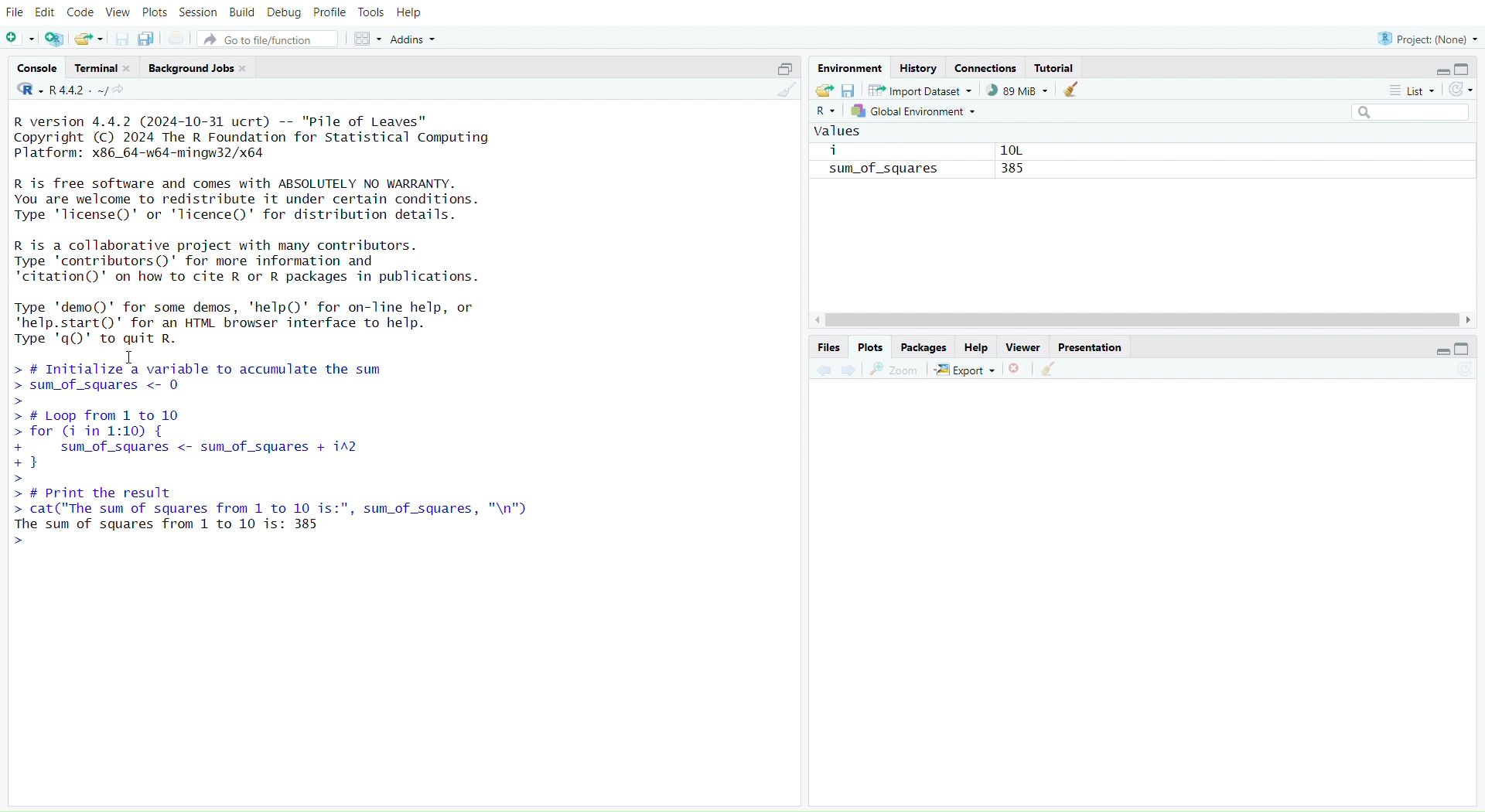 This screenshot has height=812, width=1485. What do you see at coordinates (1025, 346) in the screenshot?
I see `viewer` at bounding box center [1025, 346].